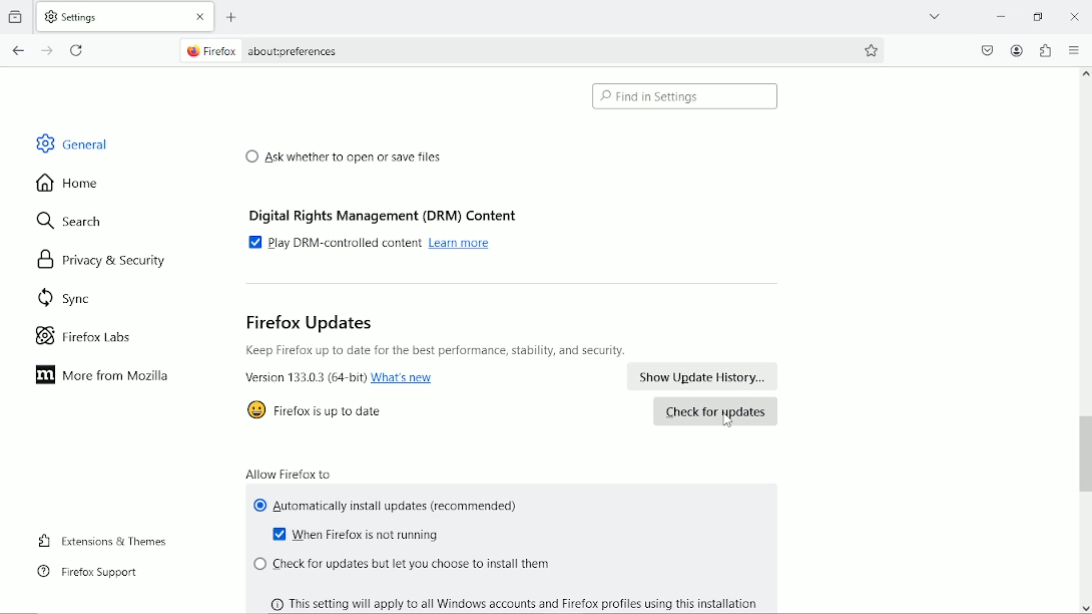 This screenshot has height=614, width=1092. I want to click on list all tabs, so click(932, 16).